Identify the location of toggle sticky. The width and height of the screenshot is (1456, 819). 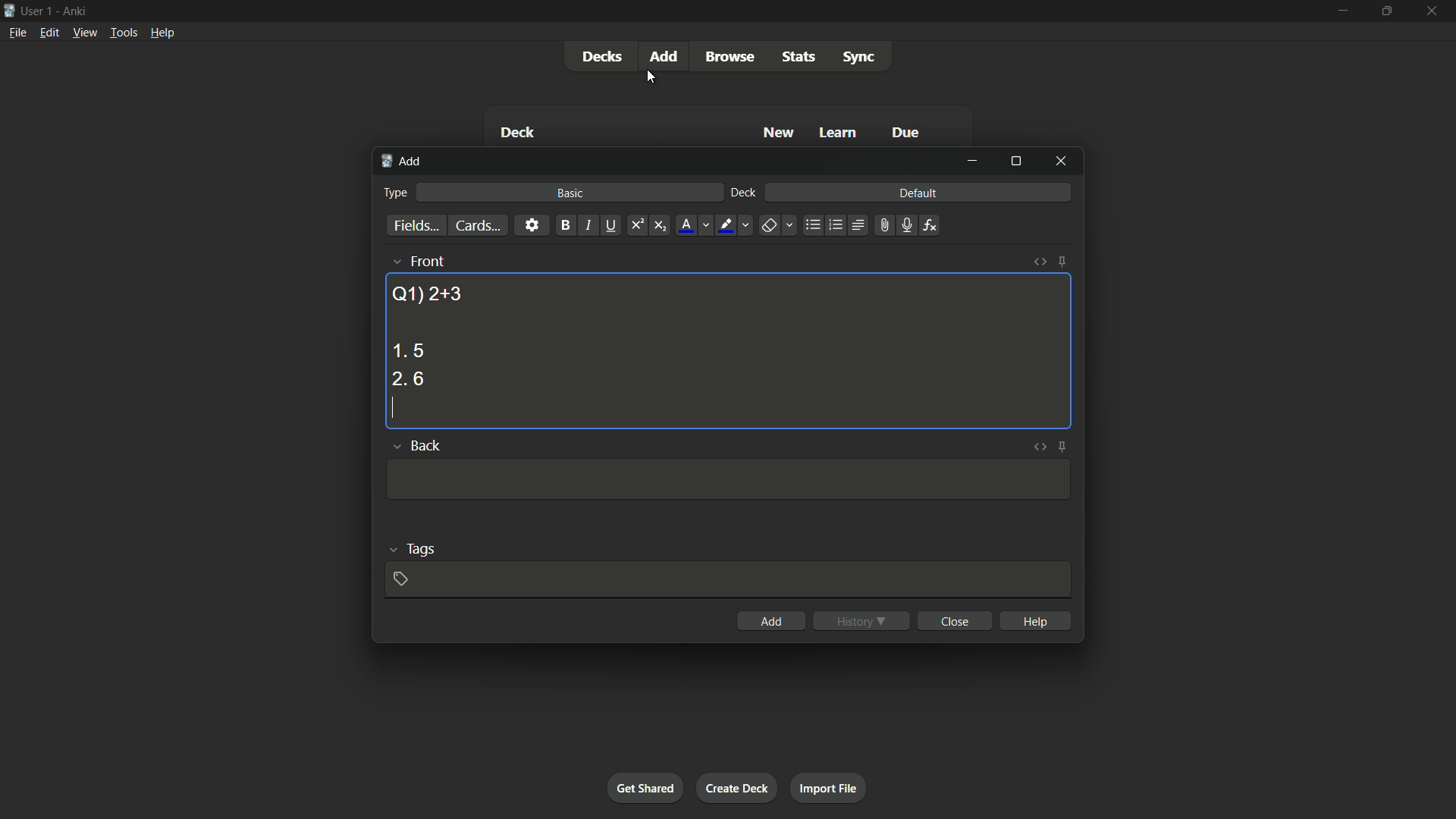
(1063, 447).